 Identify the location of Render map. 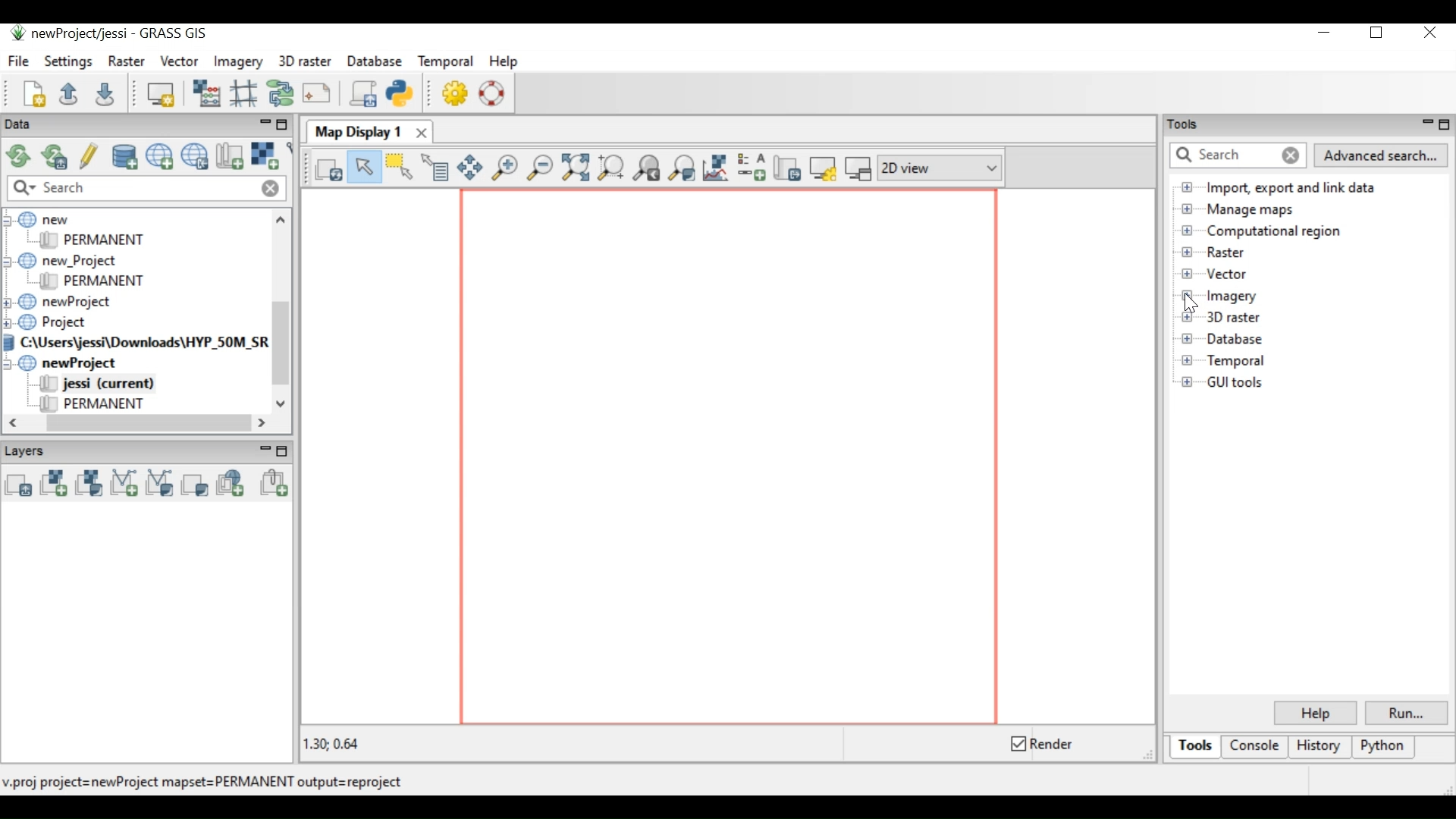
(327, 167).